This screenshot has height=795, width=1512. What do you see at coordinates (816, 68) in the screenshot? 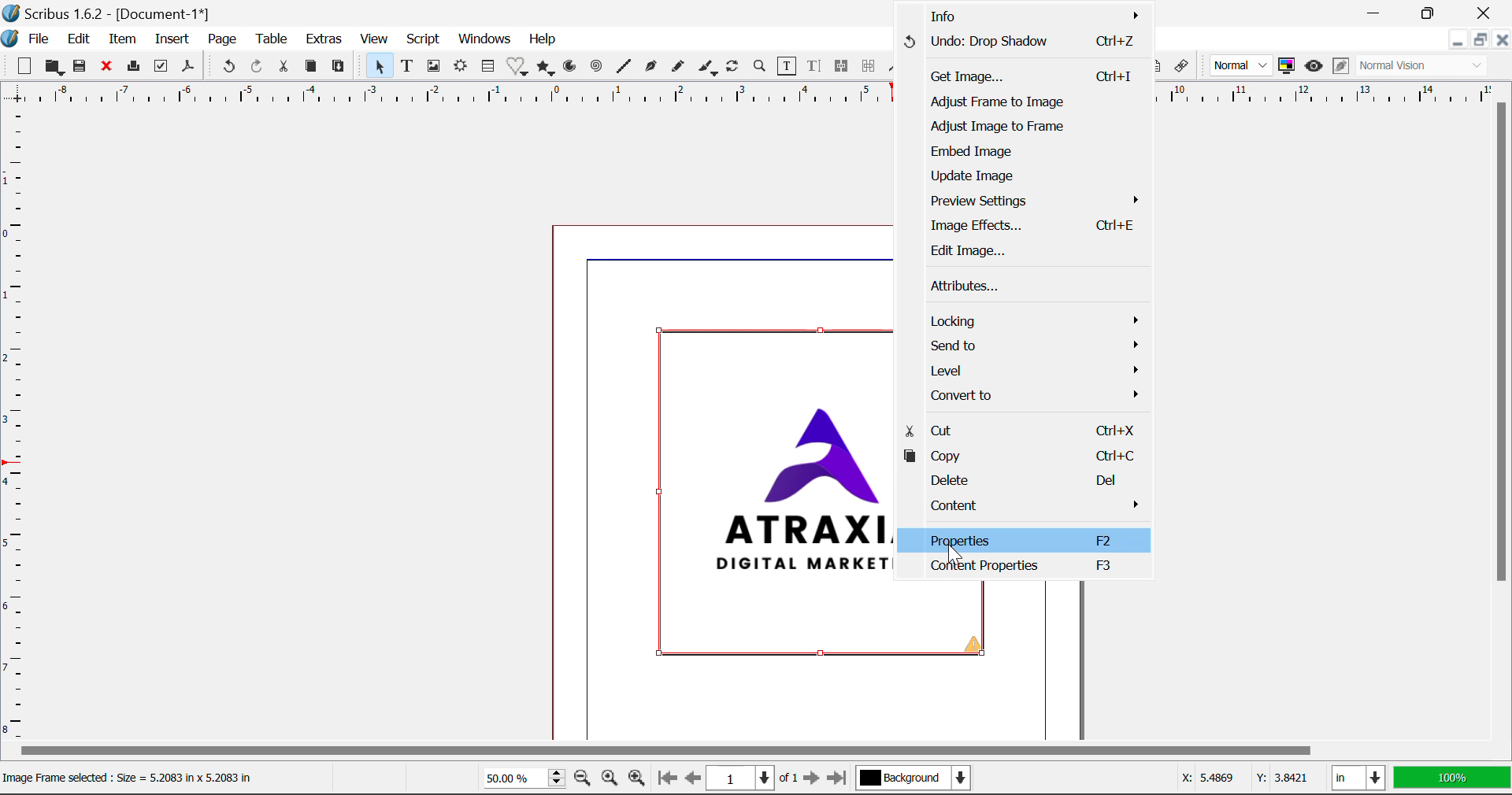
I see `Edit Text with Story Editor` at bounding box center [816, 68].